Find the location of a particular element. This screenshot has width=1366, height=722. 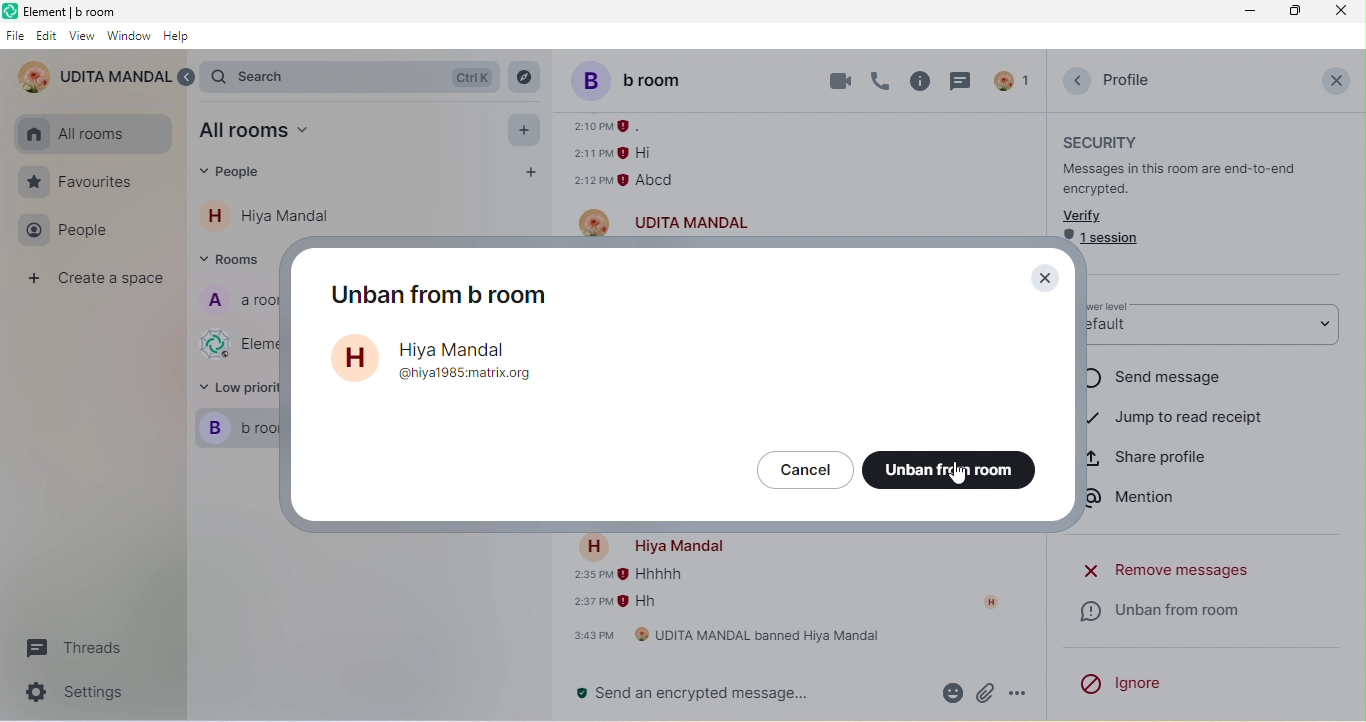

older message of hiya mandal is located at coordinates (633, 591).